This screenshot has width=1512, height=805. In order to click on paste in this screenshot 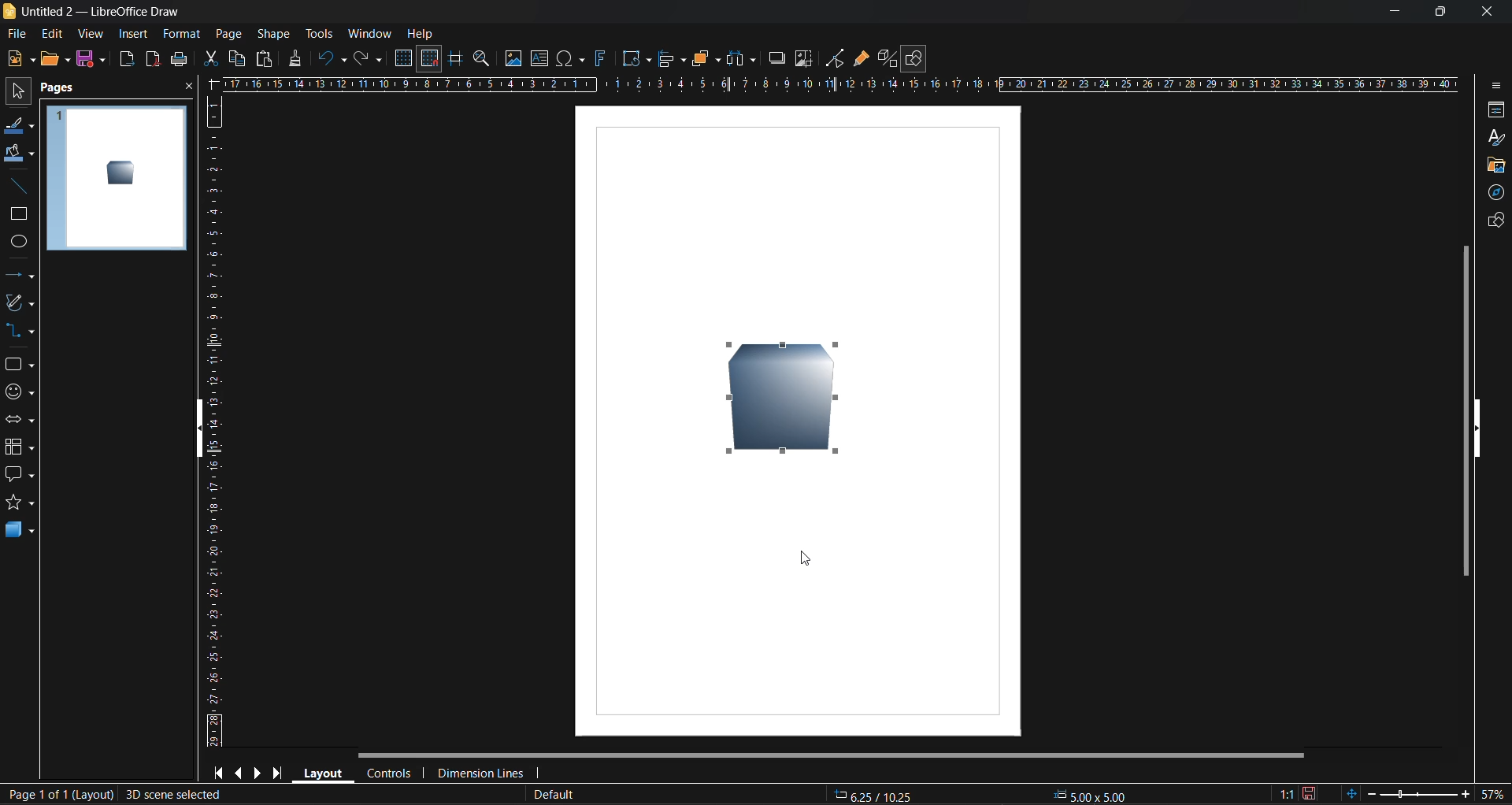, I will do `click(262, 61)`.